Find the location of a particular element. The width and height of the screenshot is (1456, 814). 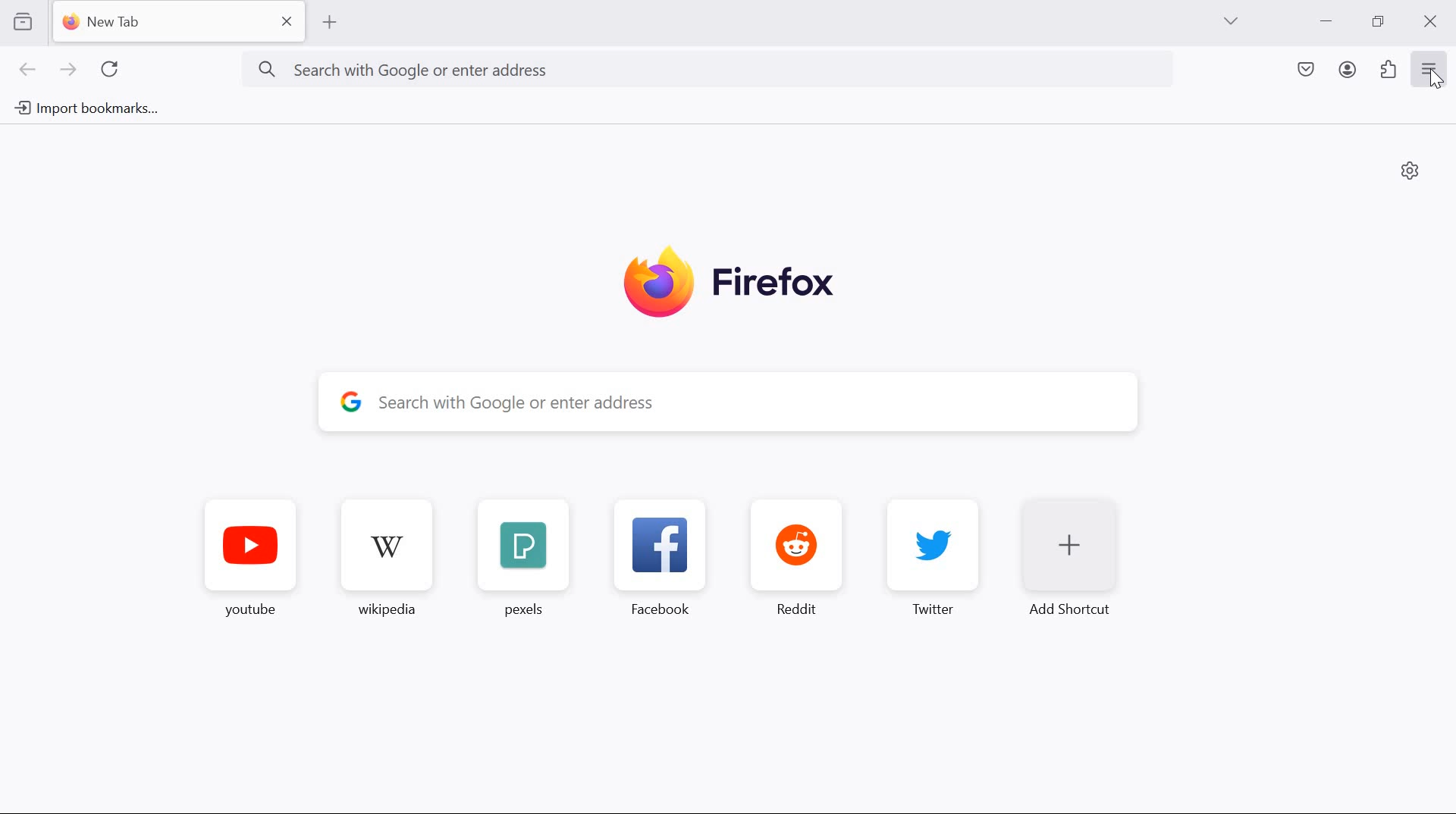

list all tabs is located at coordinates (1231, 20).